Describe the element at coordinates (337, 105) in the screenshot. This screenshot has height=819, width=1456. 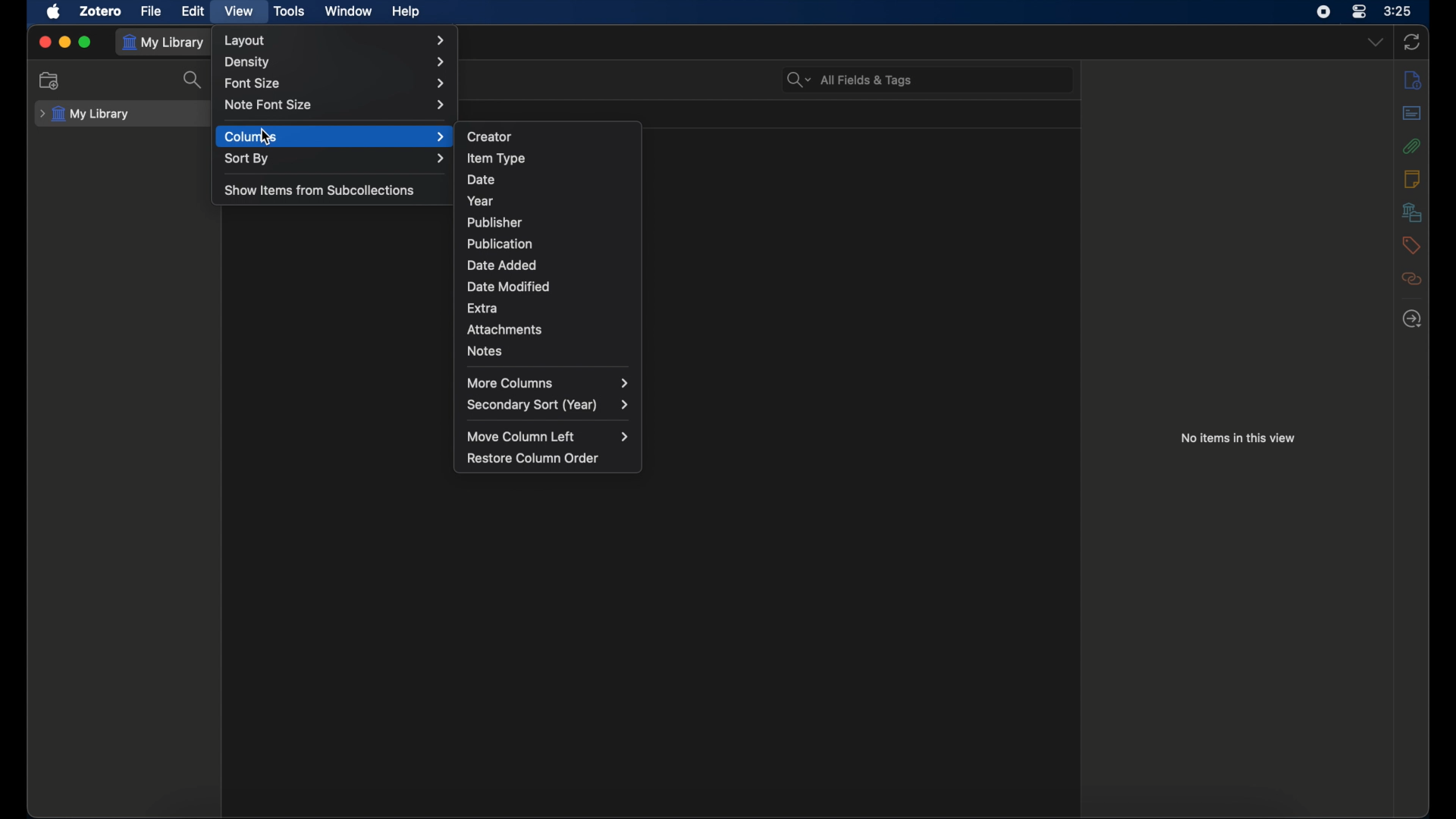
I see `note font size` at that location.